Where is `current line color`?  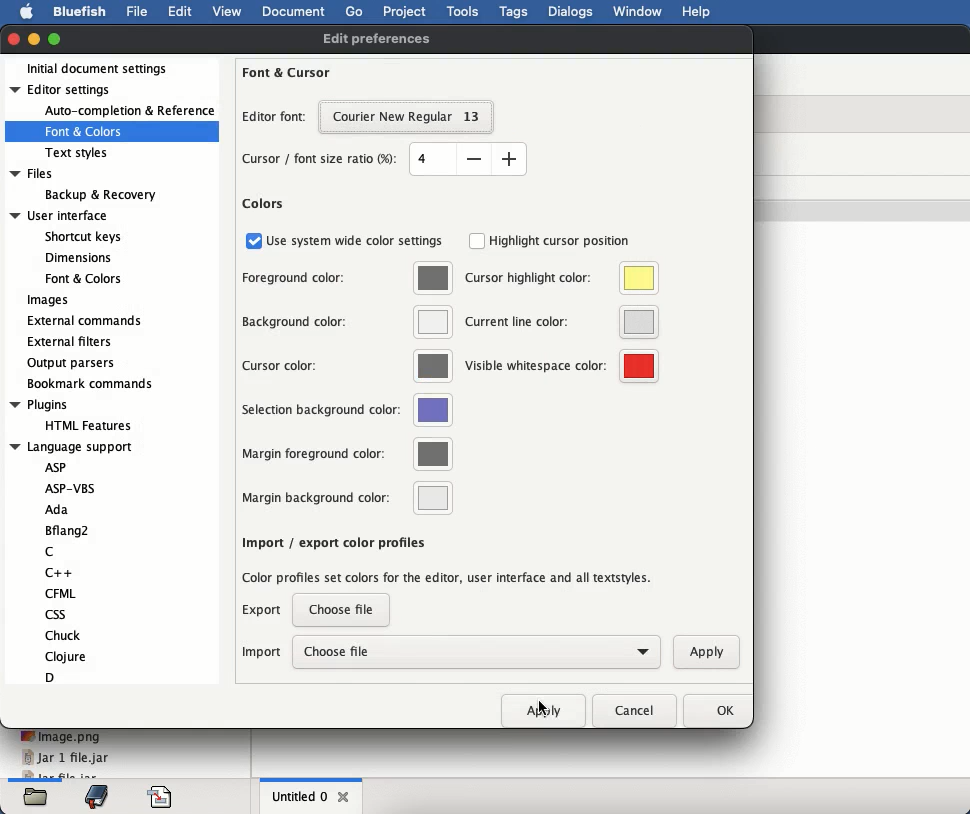
current line color is located at coordinates (561, 323).